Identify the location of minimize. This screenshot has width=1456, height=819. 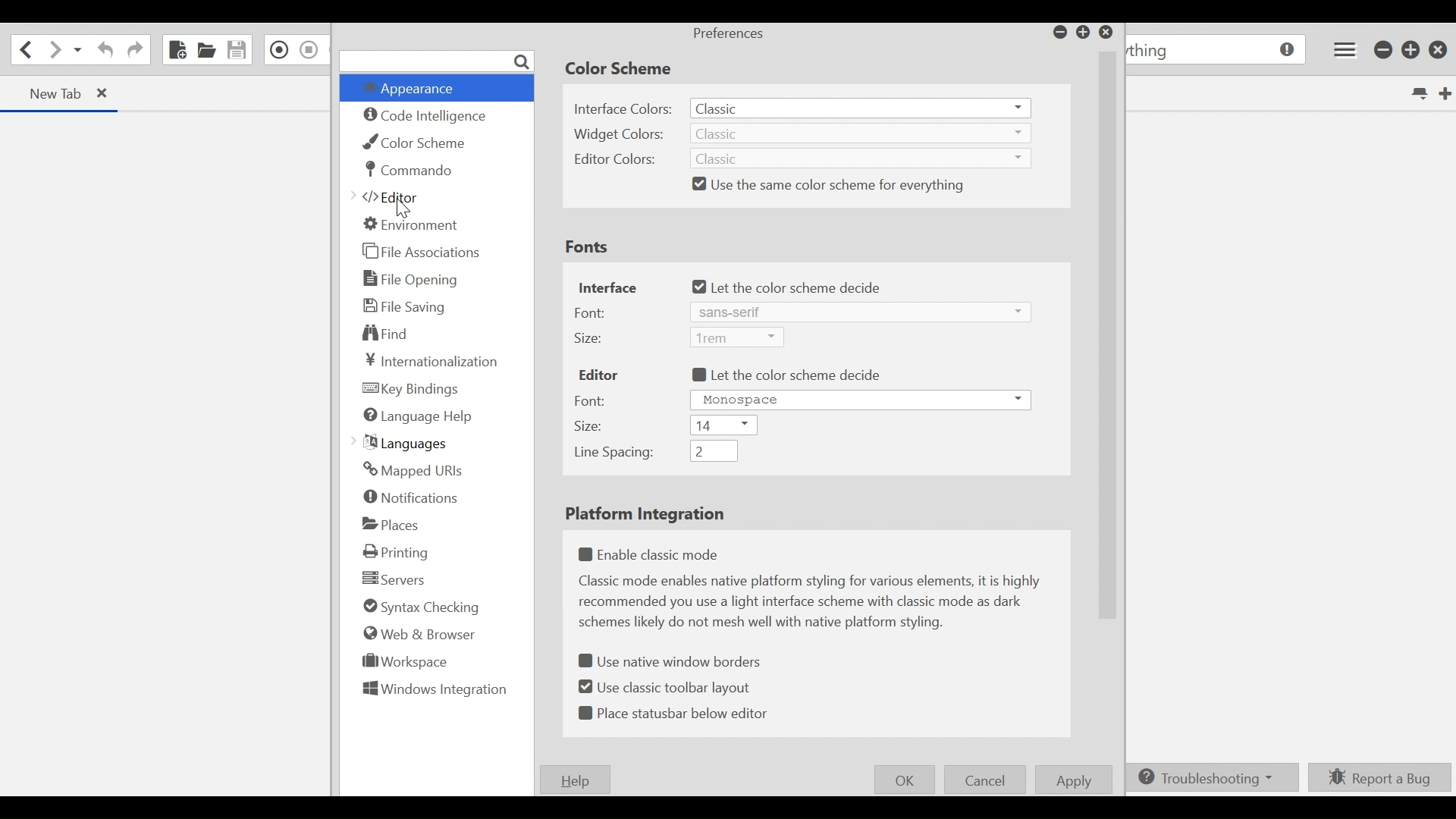
(1059, 32).